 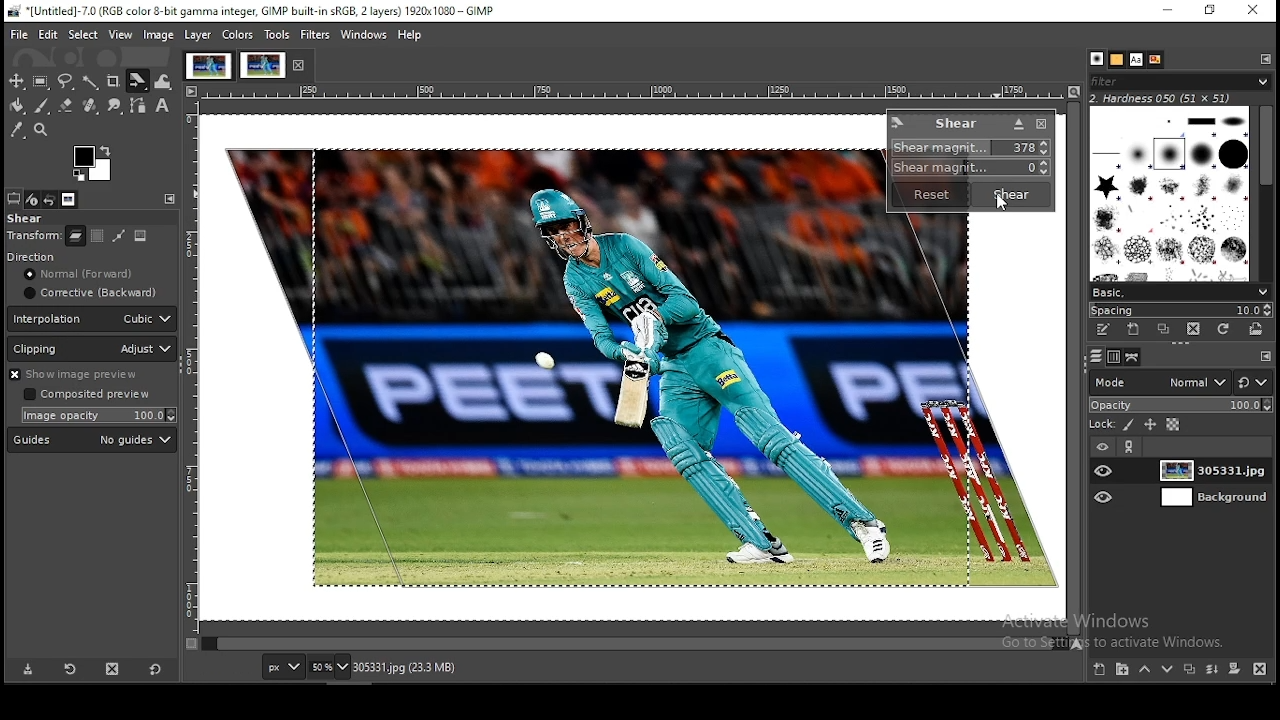 I want to click on scroll bar, so click(x=634, y=644).